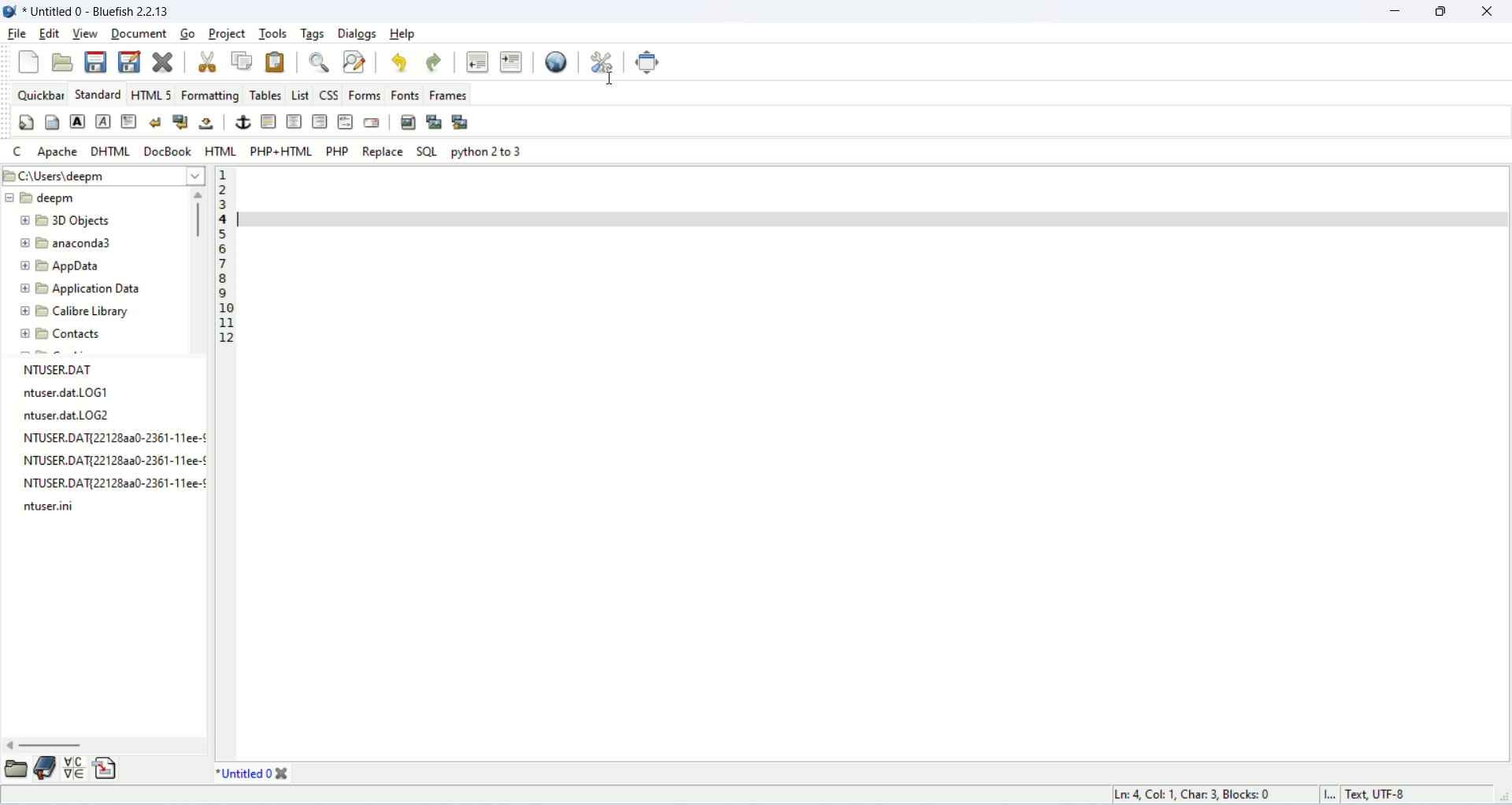 This screenshot has height=805, width=1512. I want to click on body, so click(52, 122).